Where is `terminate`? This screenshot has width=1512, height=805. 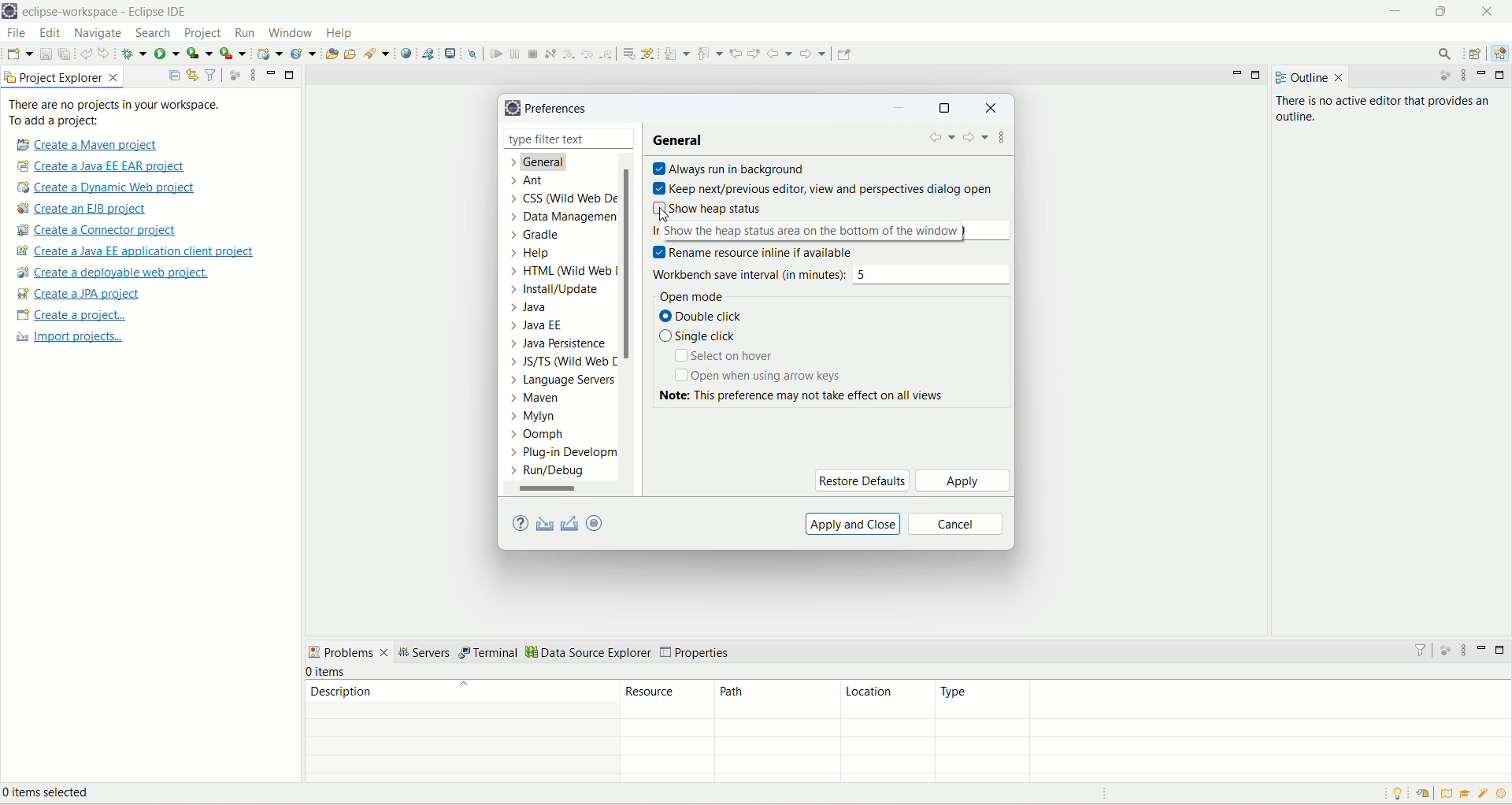 terminate is located at coordinates (535, 54).